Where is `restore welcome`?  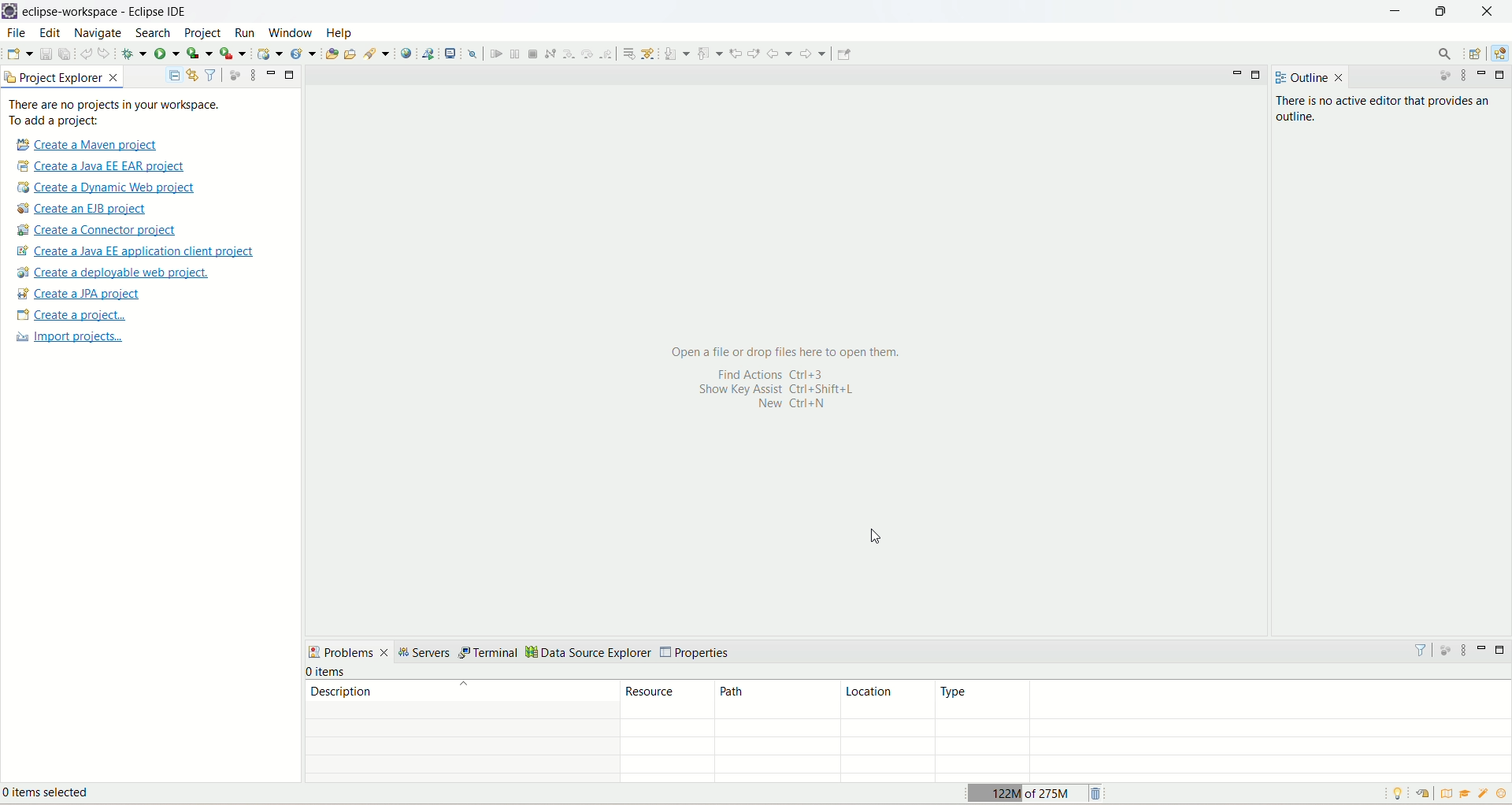 restore welcome is located at coordinates (1421, 794).